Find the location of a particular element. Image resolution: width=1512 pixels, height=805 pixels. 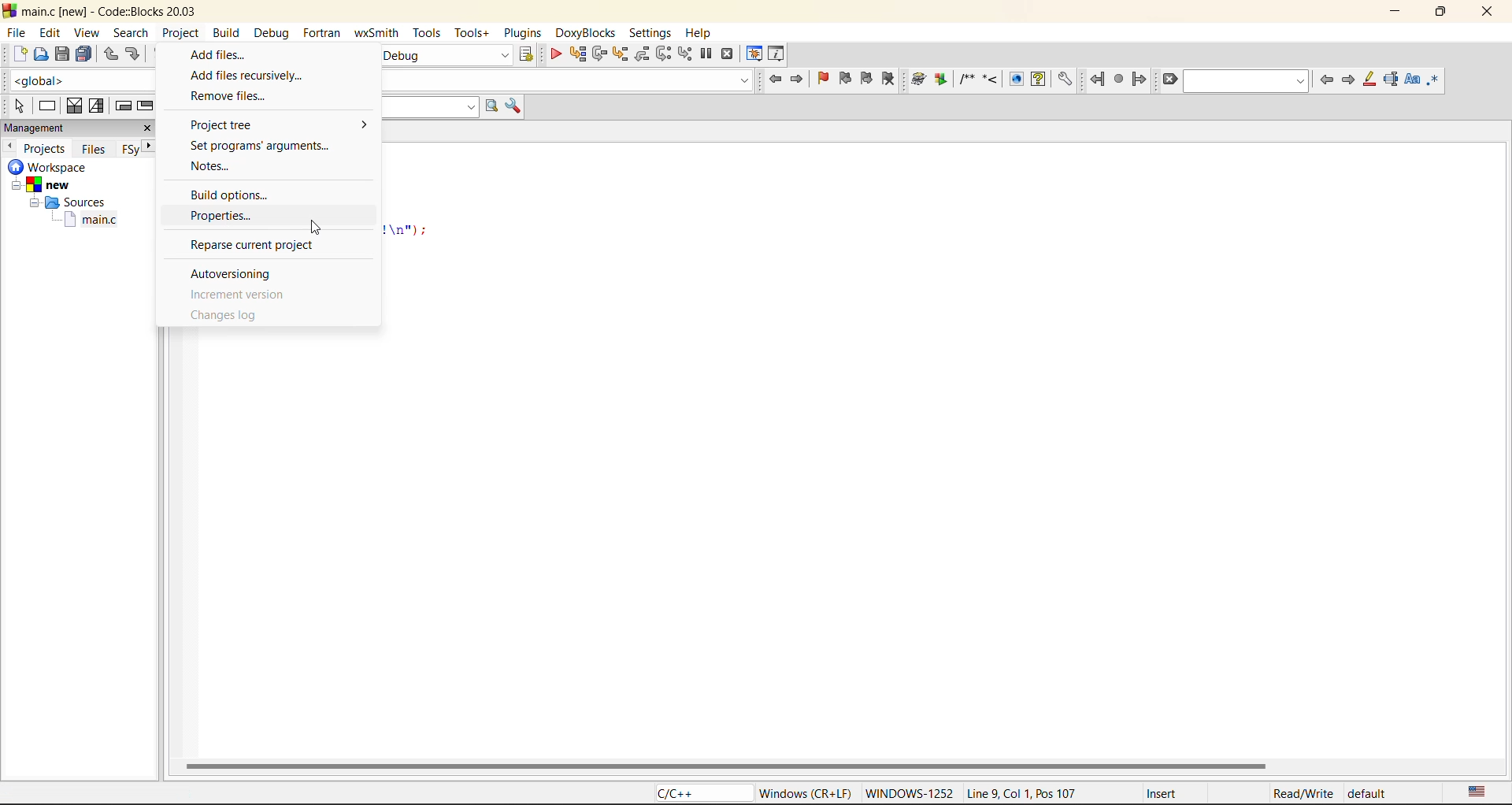

Line 9, Col 1, Pos 107 is located at coordinates (1044, 792).